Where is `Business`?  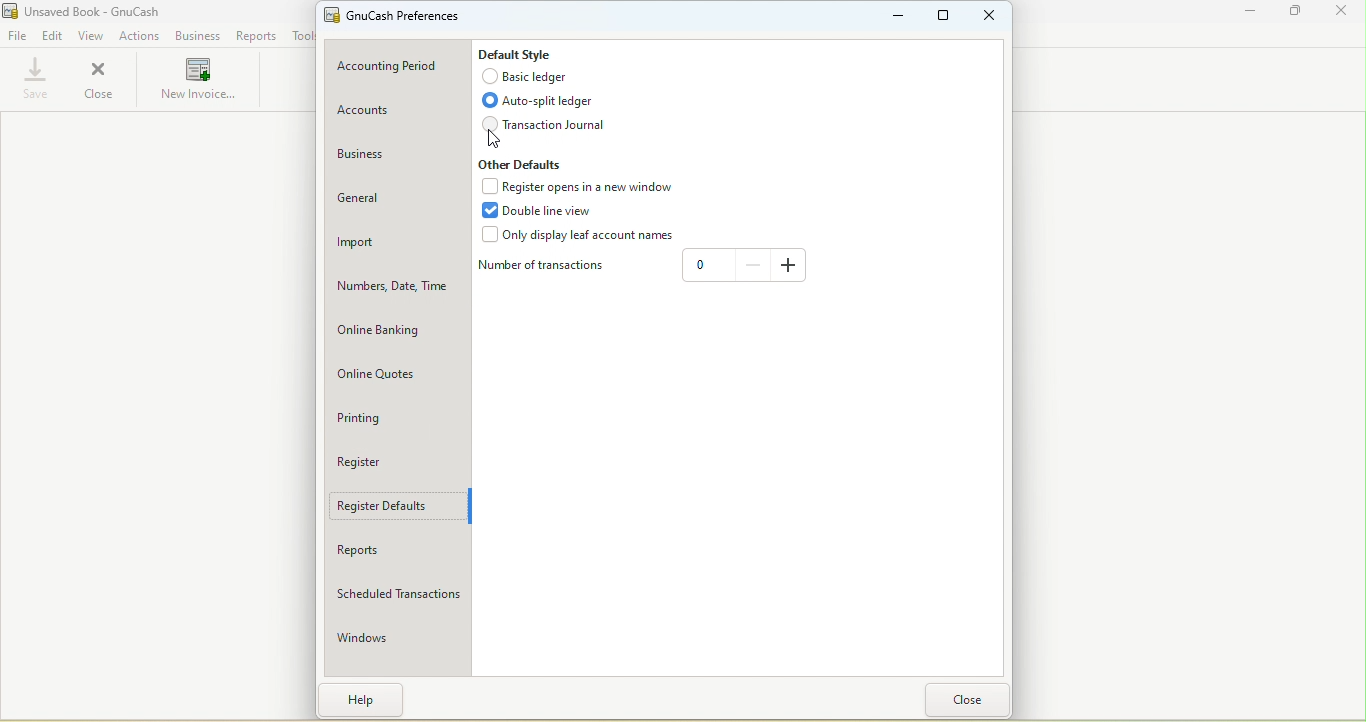
Business is located at coordinates (393, 159).